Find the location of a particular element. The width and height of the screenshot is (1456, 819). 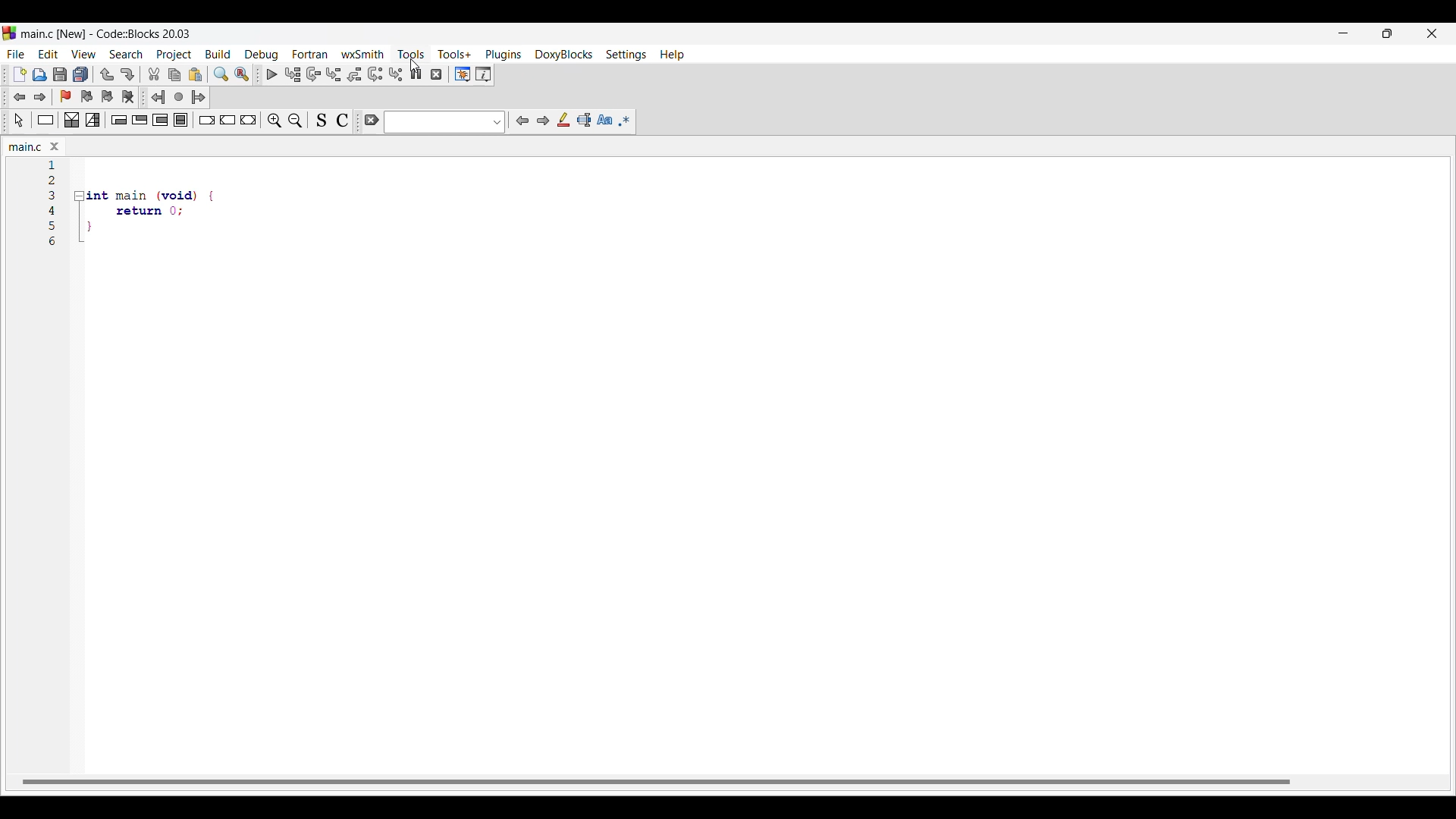

Counting loop is located at coordinates (160, 120).